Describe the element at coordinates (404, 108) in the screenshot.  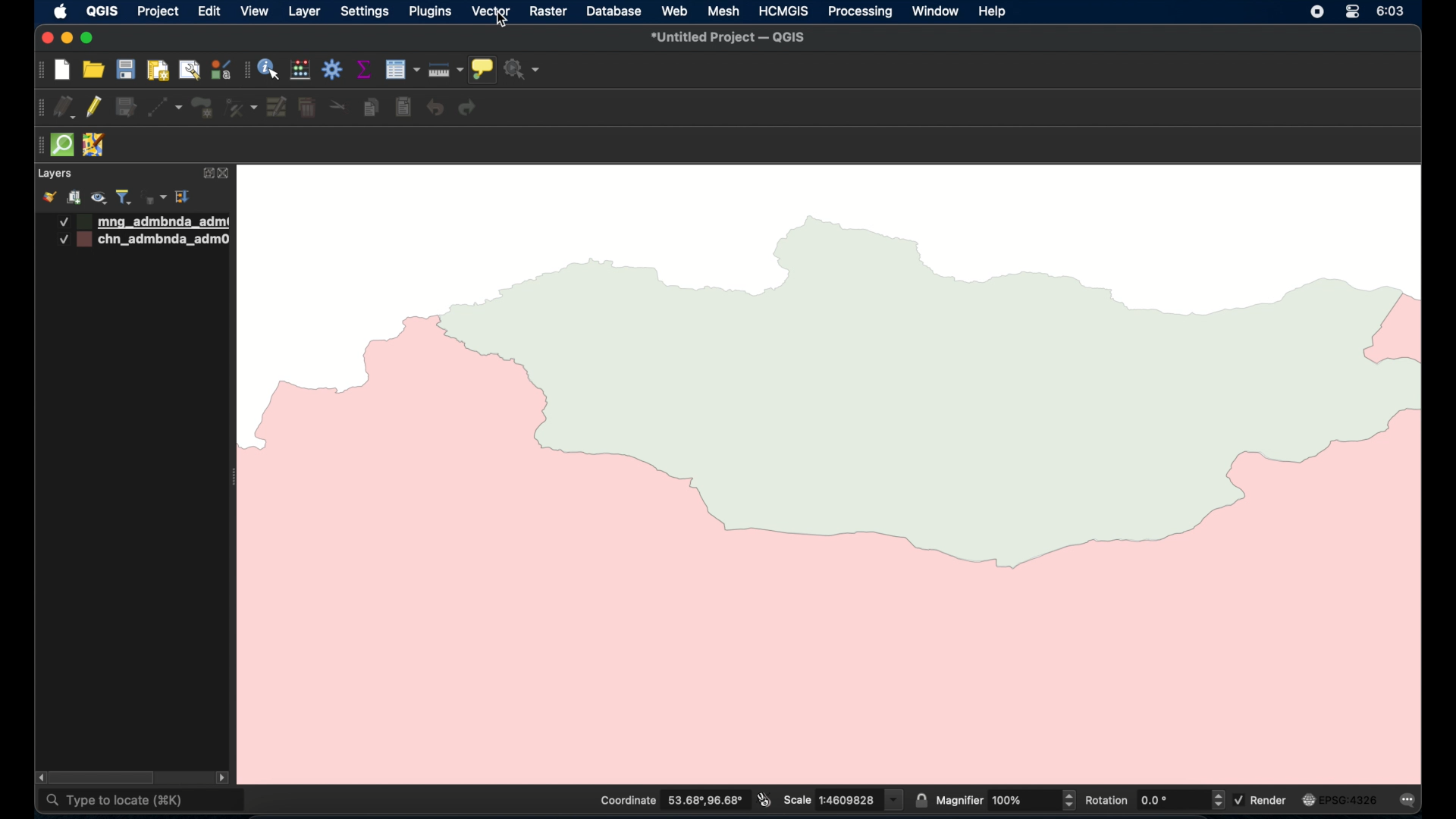
I see `paste features` at that location.